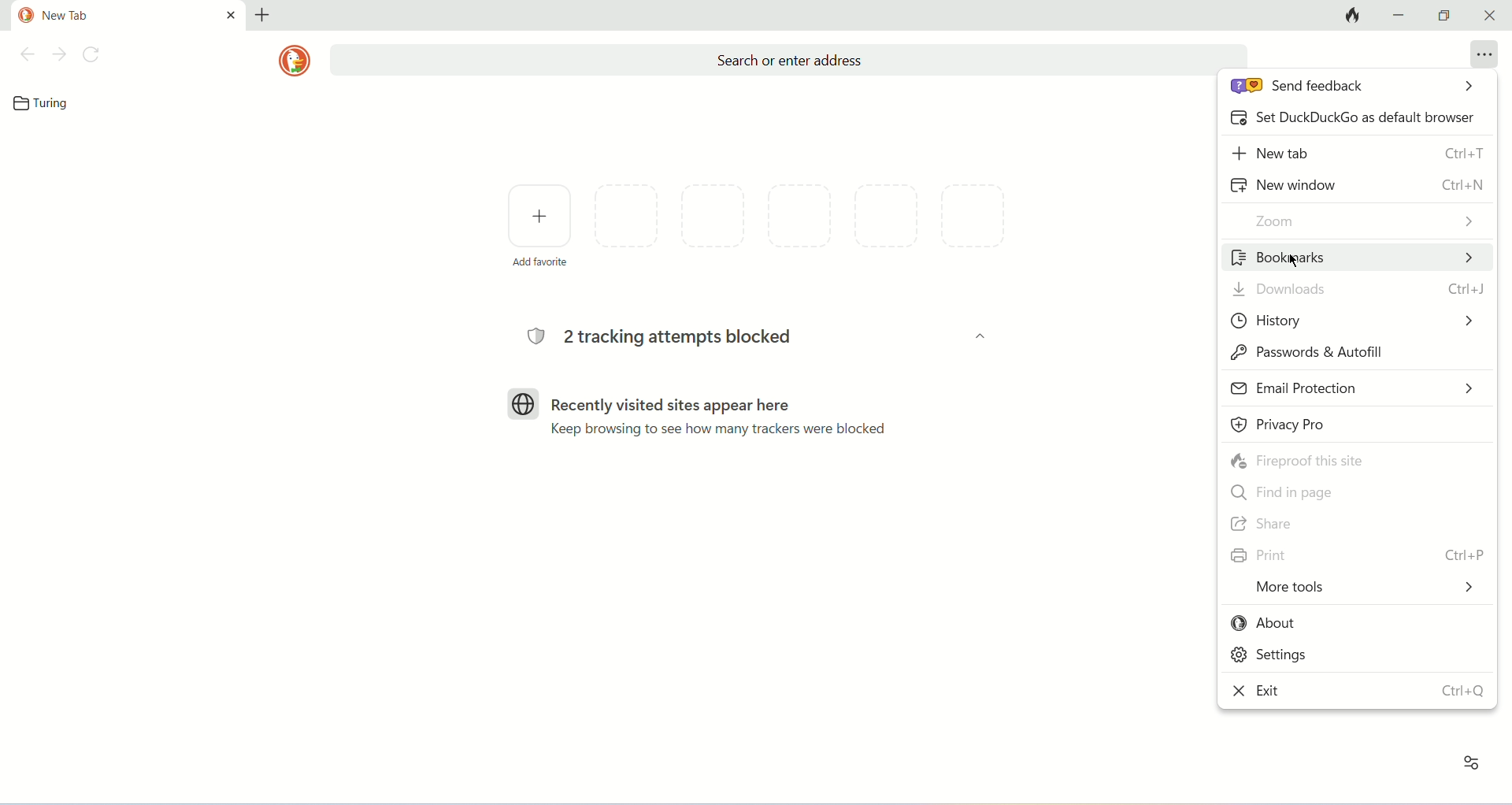  What do you see at coordinates (264, 13) in the screenshot?
I see `new tab` at bounding box center [264, 13].